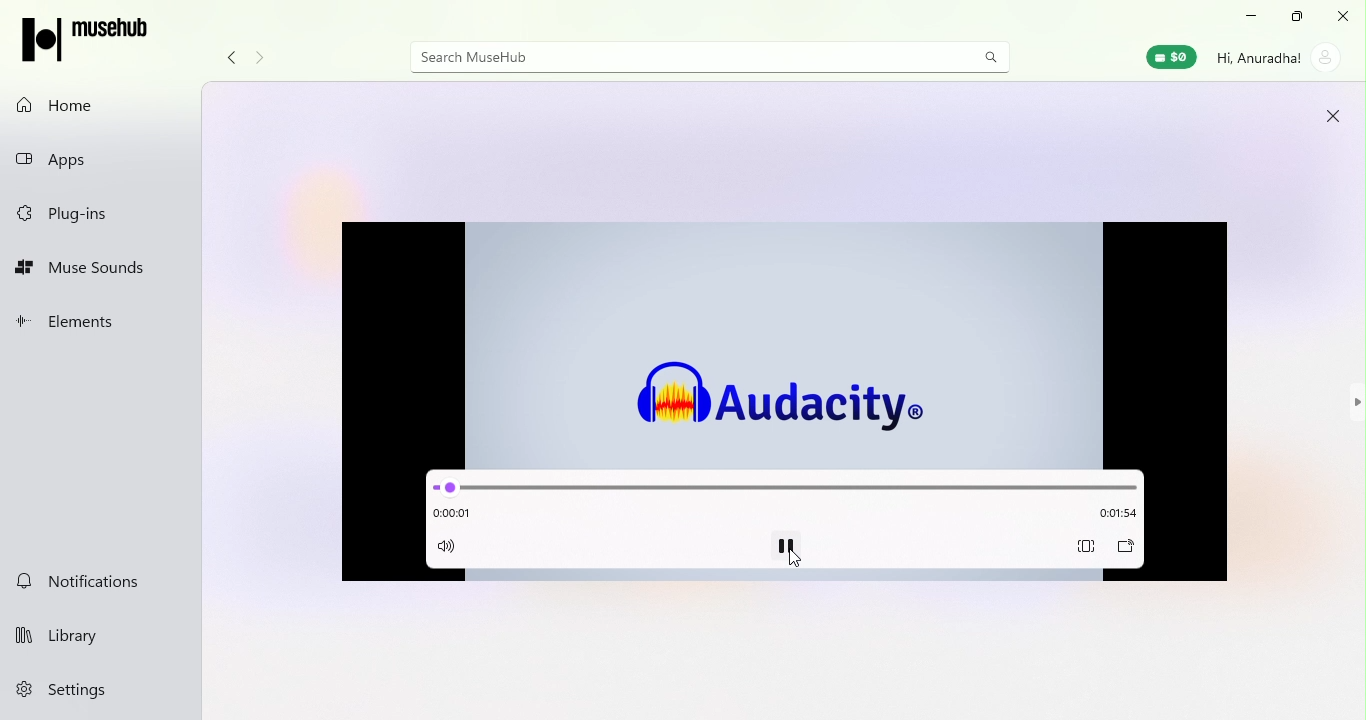 The image size is (1366, 720). Describe the element at coordinates (86, 42) in the screenshot. I see `Musehub icon` at that location.